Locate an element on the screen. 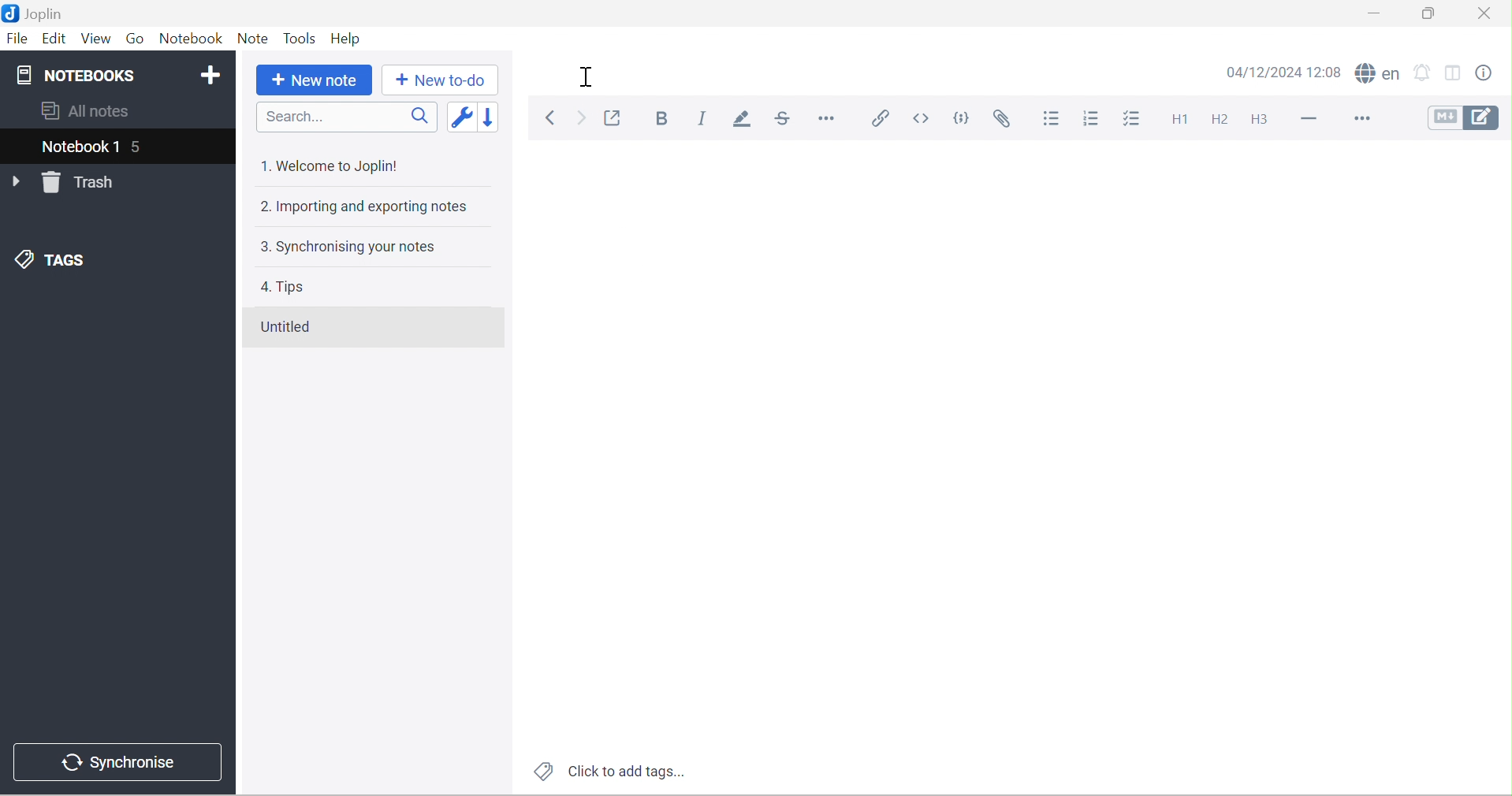  Joplin is located at coordinates (39, 13).